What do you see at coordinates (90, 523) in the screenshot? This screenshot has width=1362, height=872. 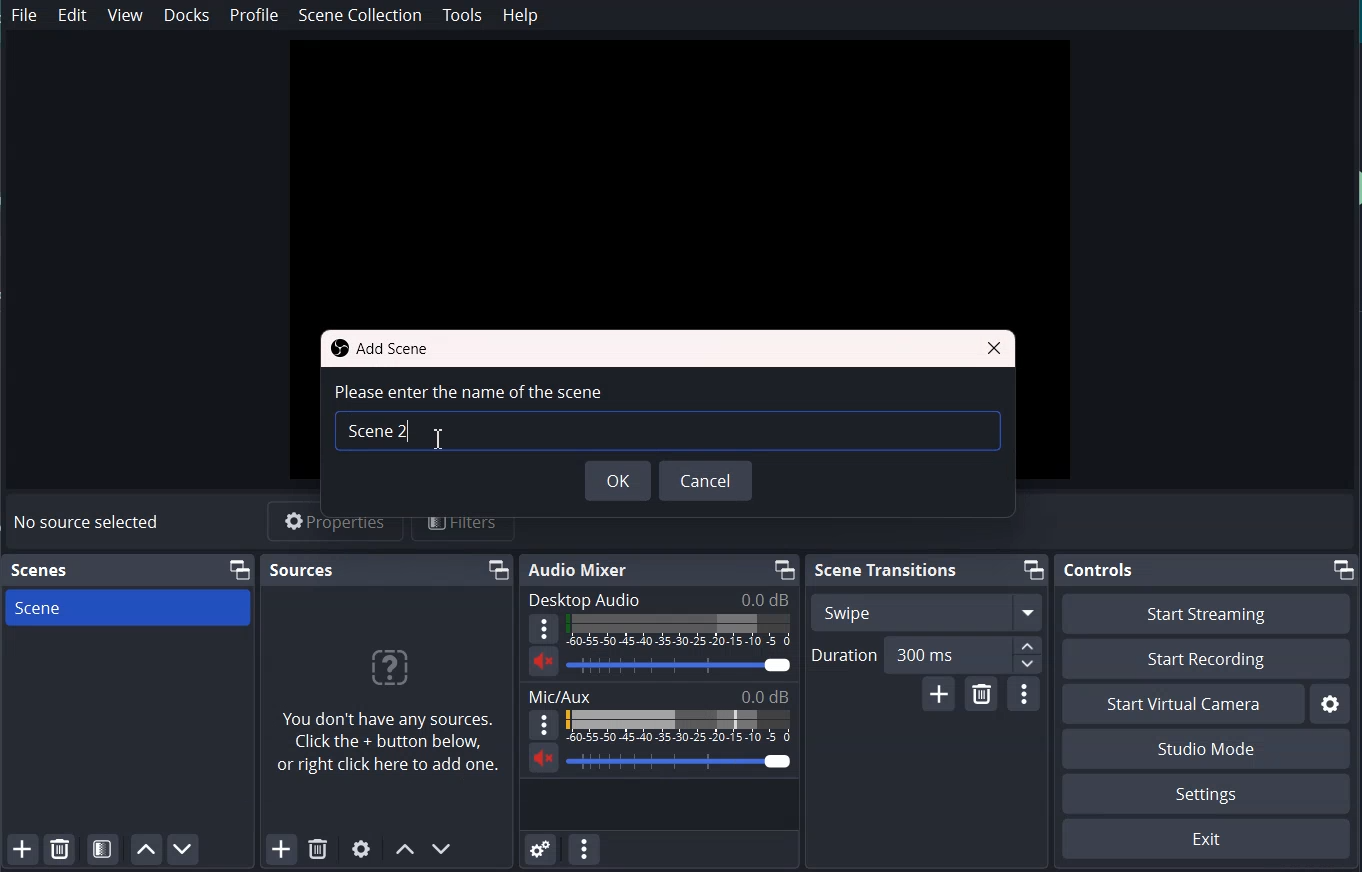 I see `Text` at bounding box center [90, 523].